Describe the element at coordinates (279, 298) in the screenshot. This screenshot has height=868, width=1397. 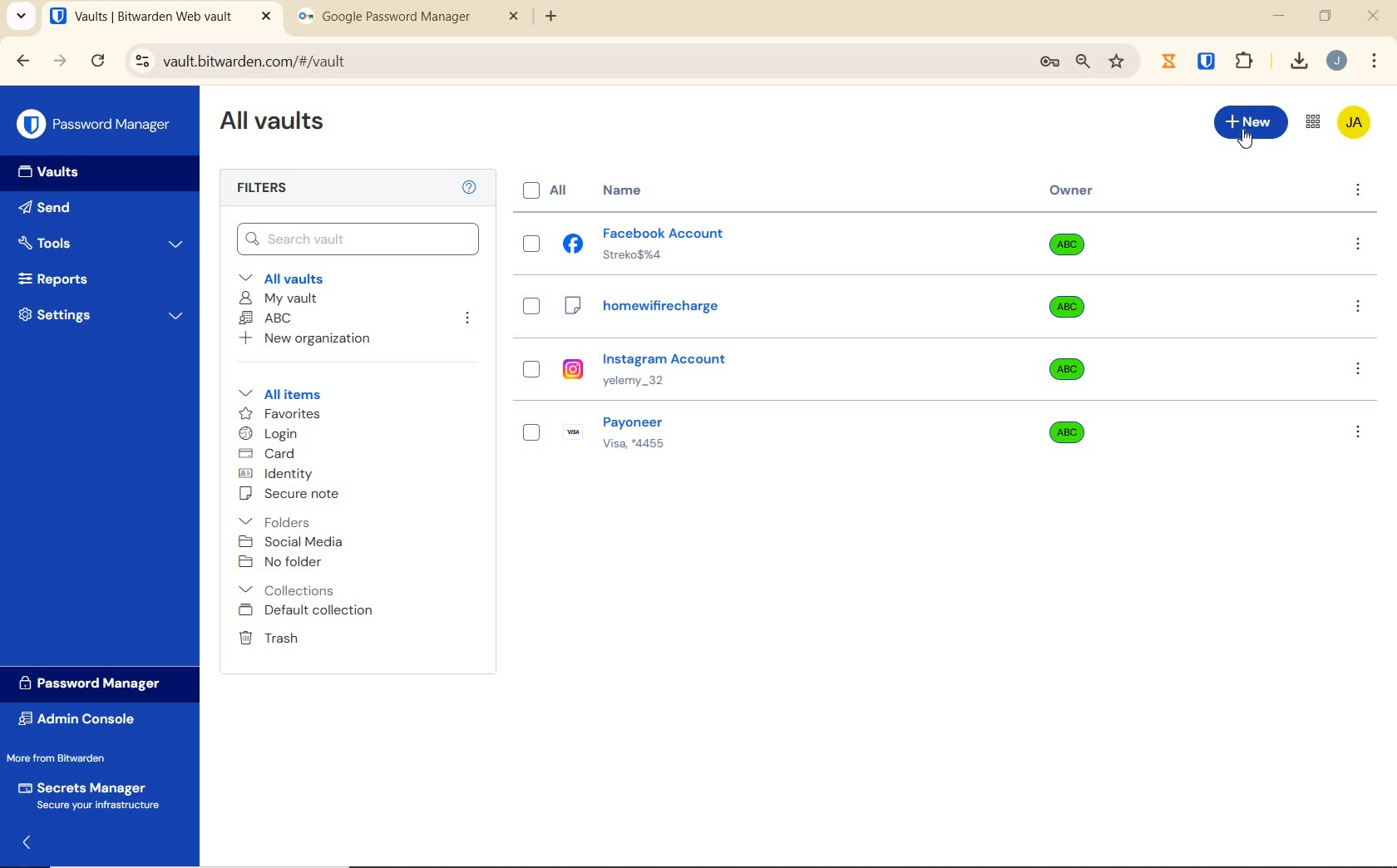
I see `My Vault` at that location.